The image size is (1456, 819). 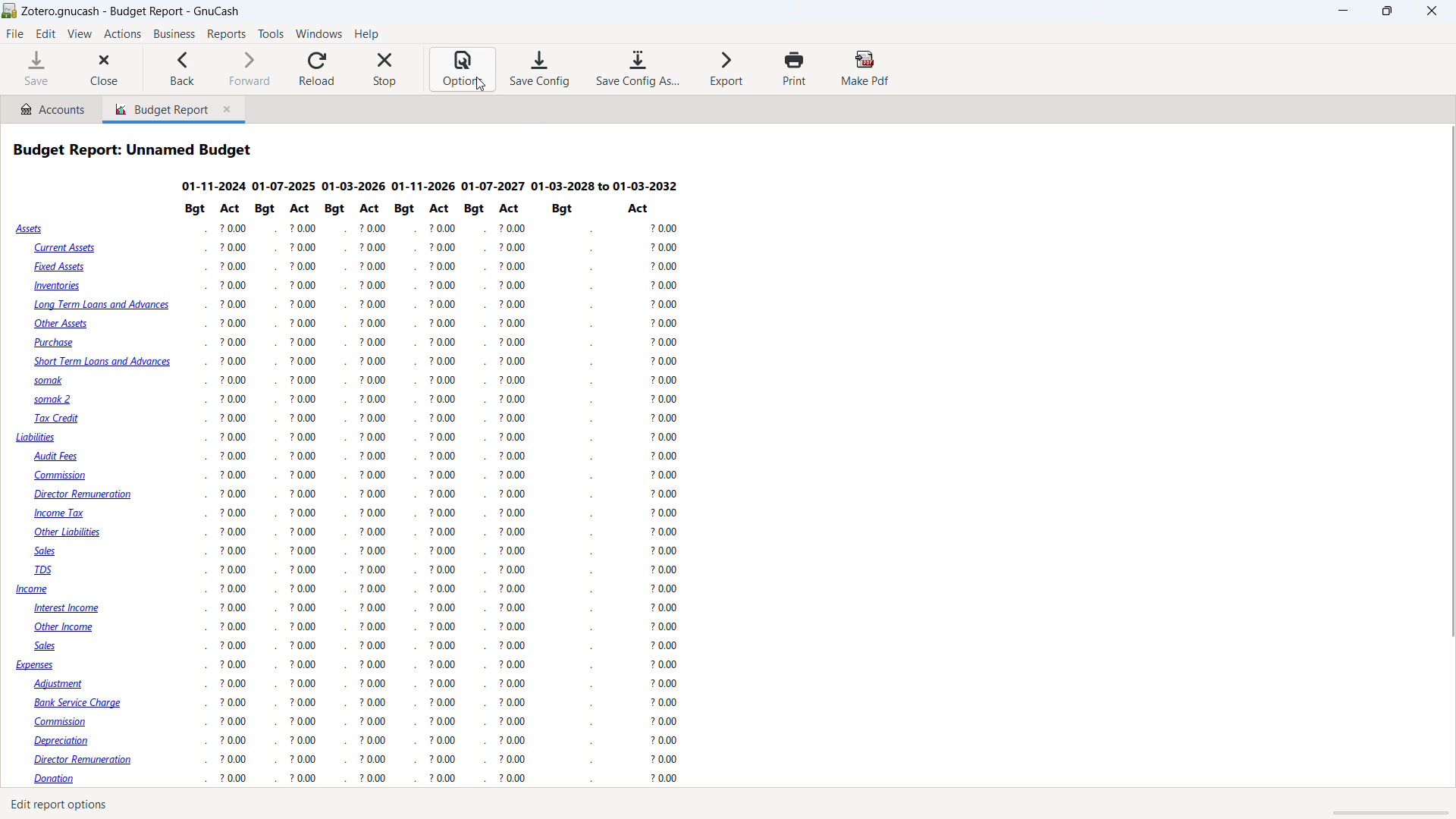 What do you see at coordinates (71, 723) in the screenshot?
I see `Commission` at bounding box center [71, 723].